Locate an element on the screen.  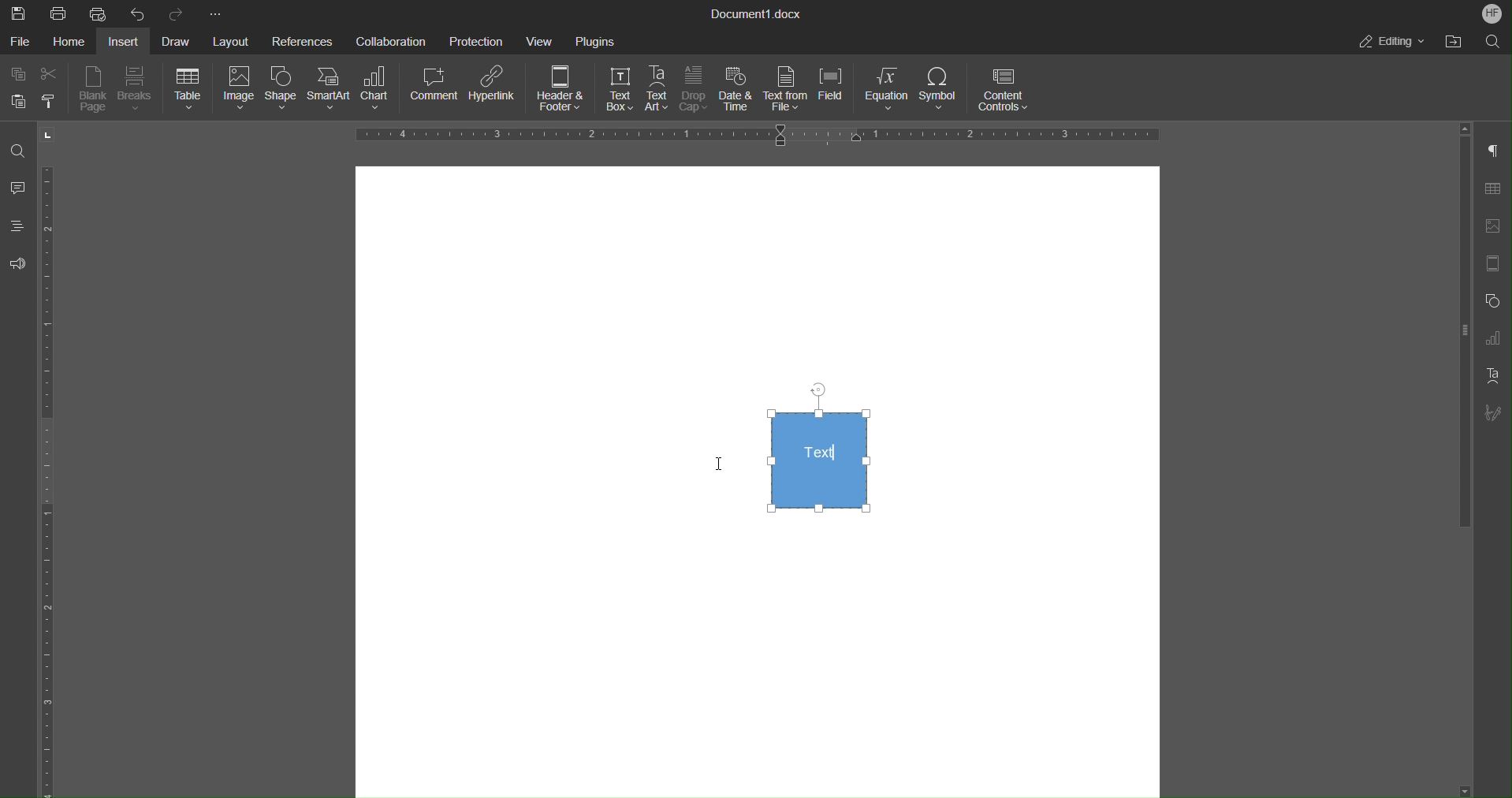
Draw is located at coordinates (180, 40).